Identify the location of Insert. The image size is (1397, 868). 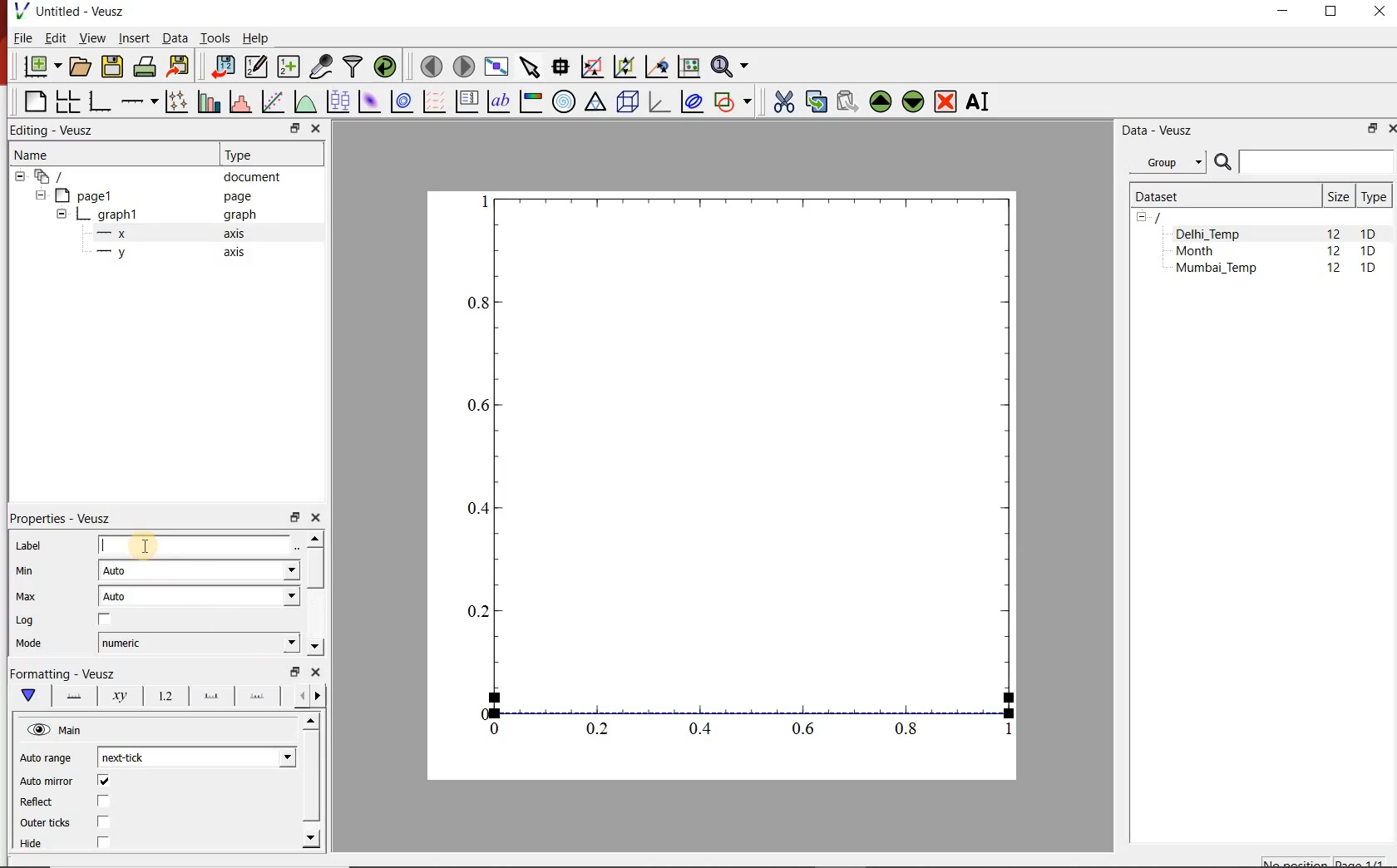
(133, 37).